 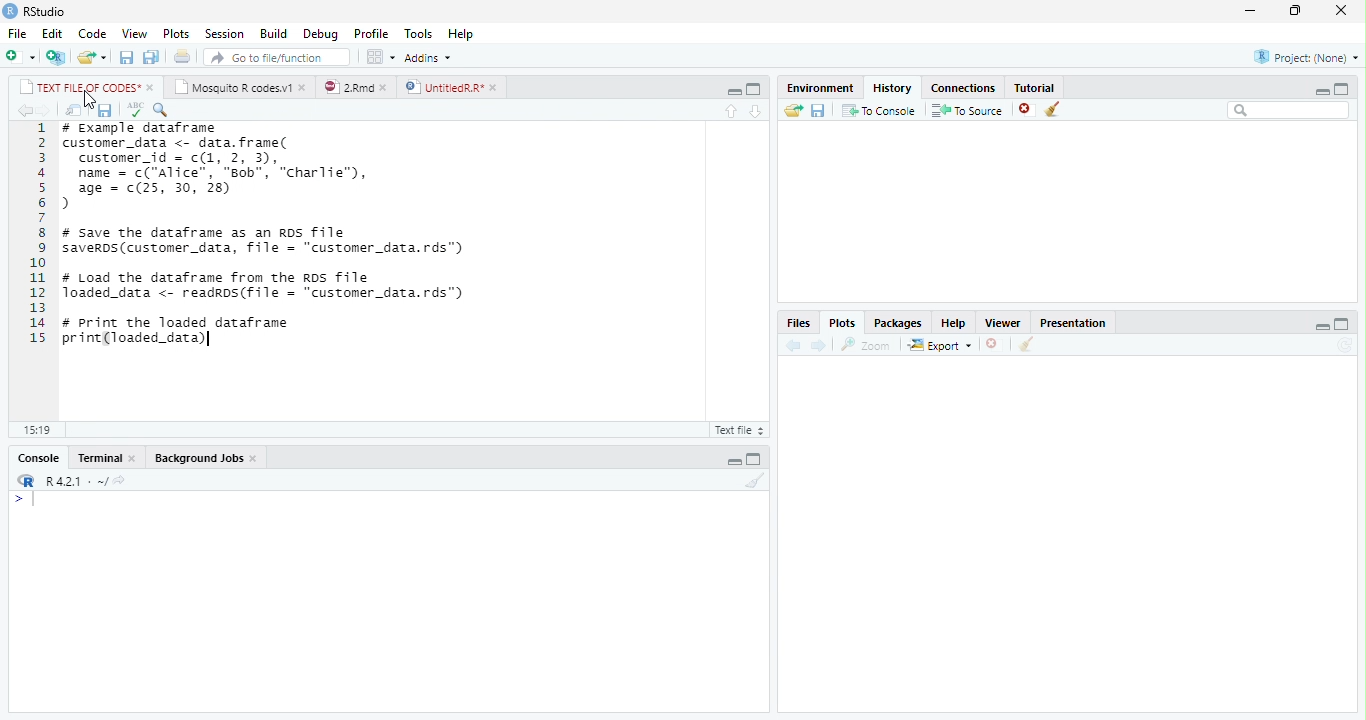 What do you see at coordinates (92, 57) in the screenshot?
I see `open file` at bounding box center [92, 57].